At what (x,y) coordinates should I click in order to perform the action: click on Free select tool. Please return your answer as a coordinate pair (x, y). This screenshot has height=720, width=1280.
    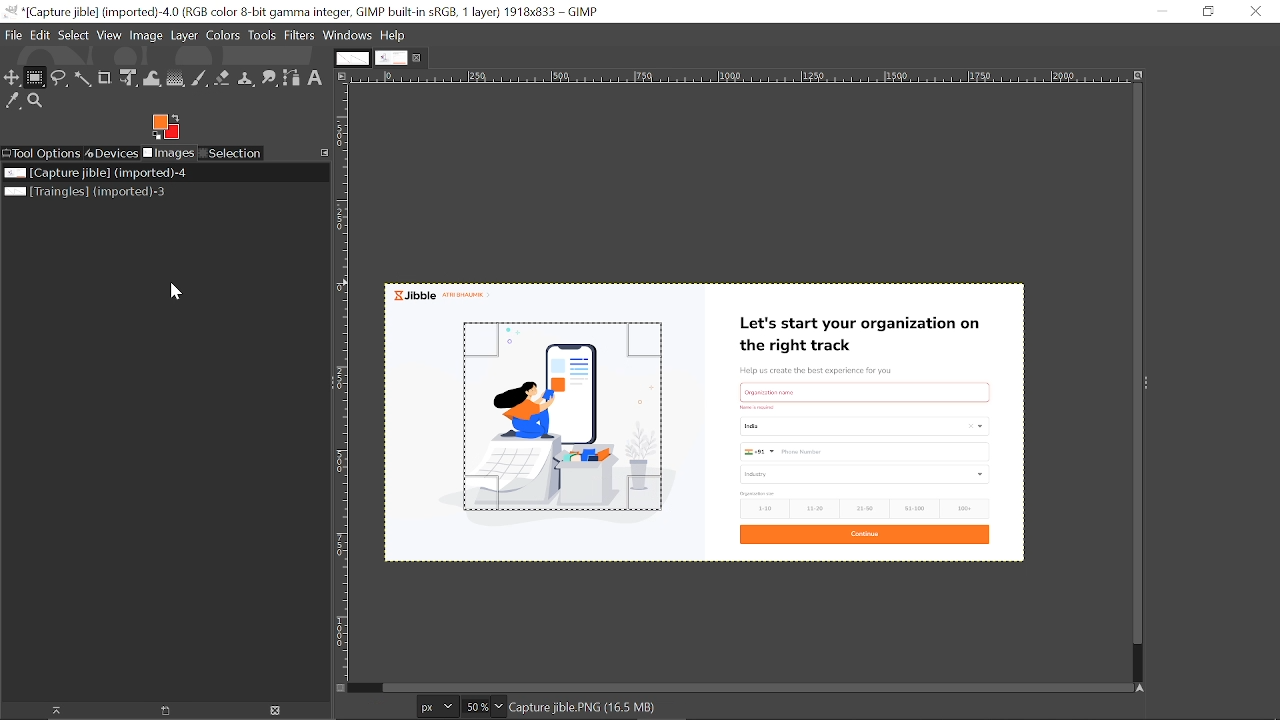
    Looking at the image, I should click on (58, 79).